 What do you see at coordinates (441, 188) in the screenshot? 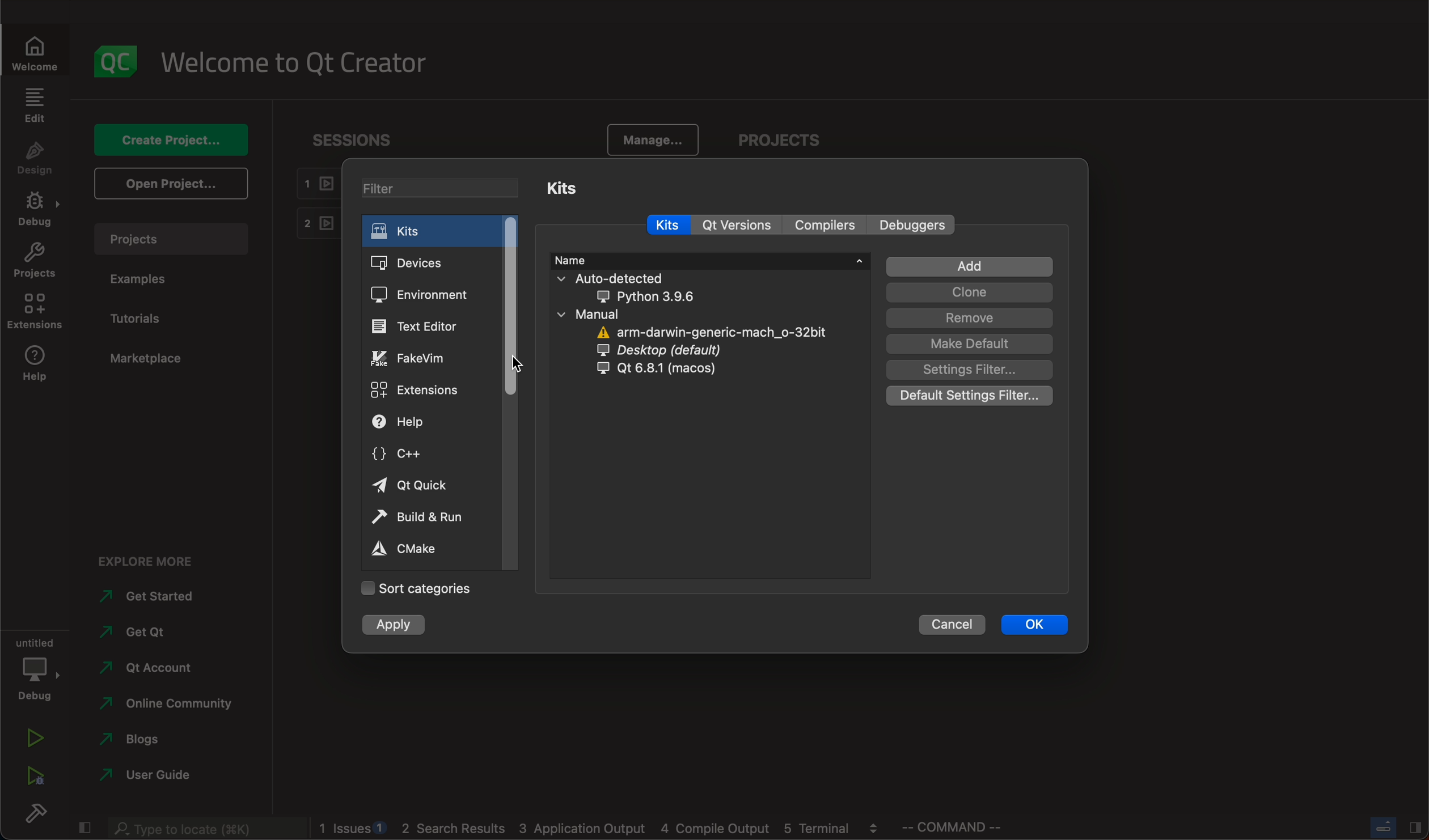
I see `filters` at bounding box center [441, 188].